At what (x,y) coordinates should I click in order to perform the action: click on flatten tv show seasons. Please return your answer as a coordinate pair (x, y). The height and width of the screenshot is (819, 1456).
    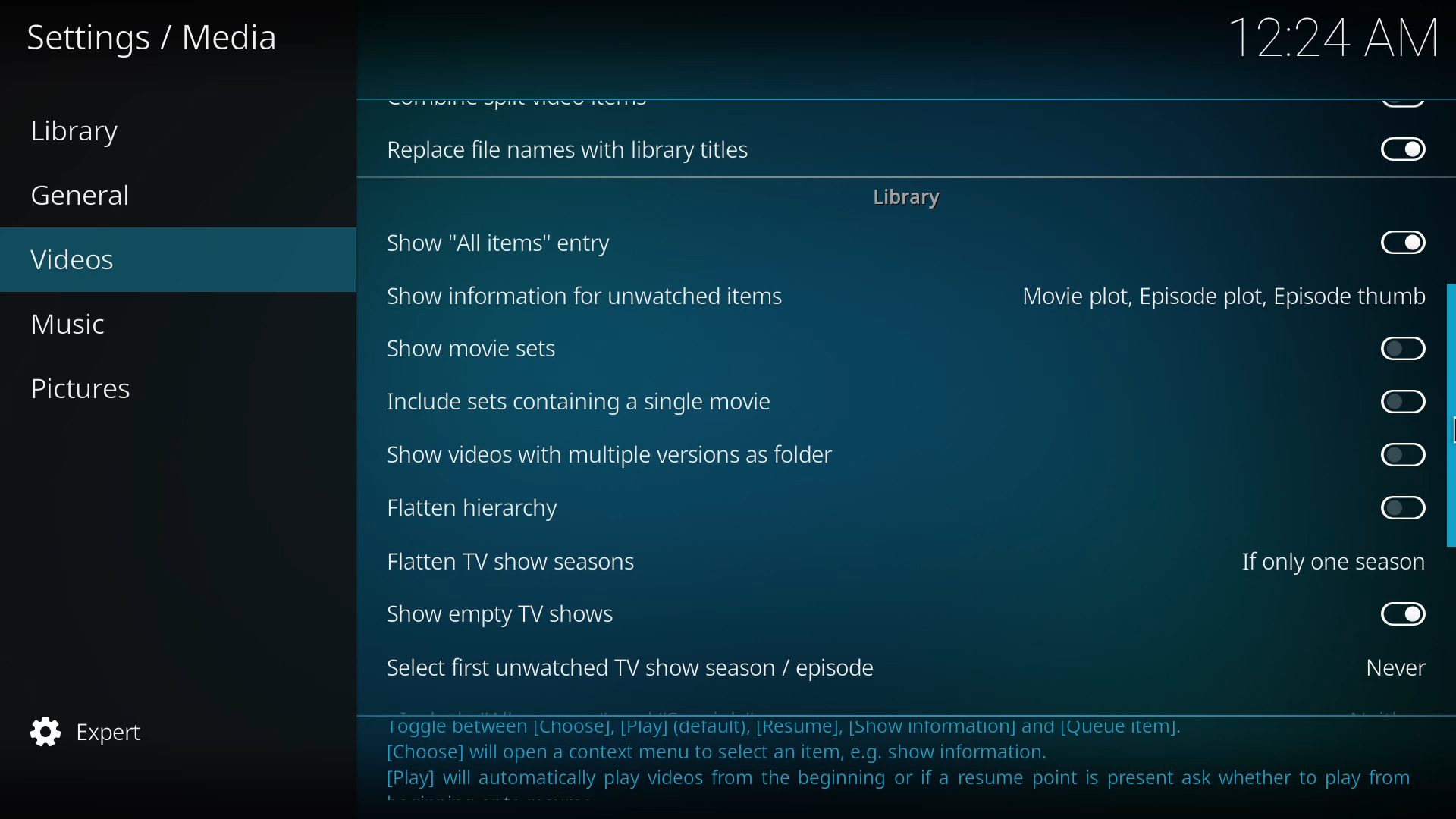
    Looking at the image, I should click on (513, 562).